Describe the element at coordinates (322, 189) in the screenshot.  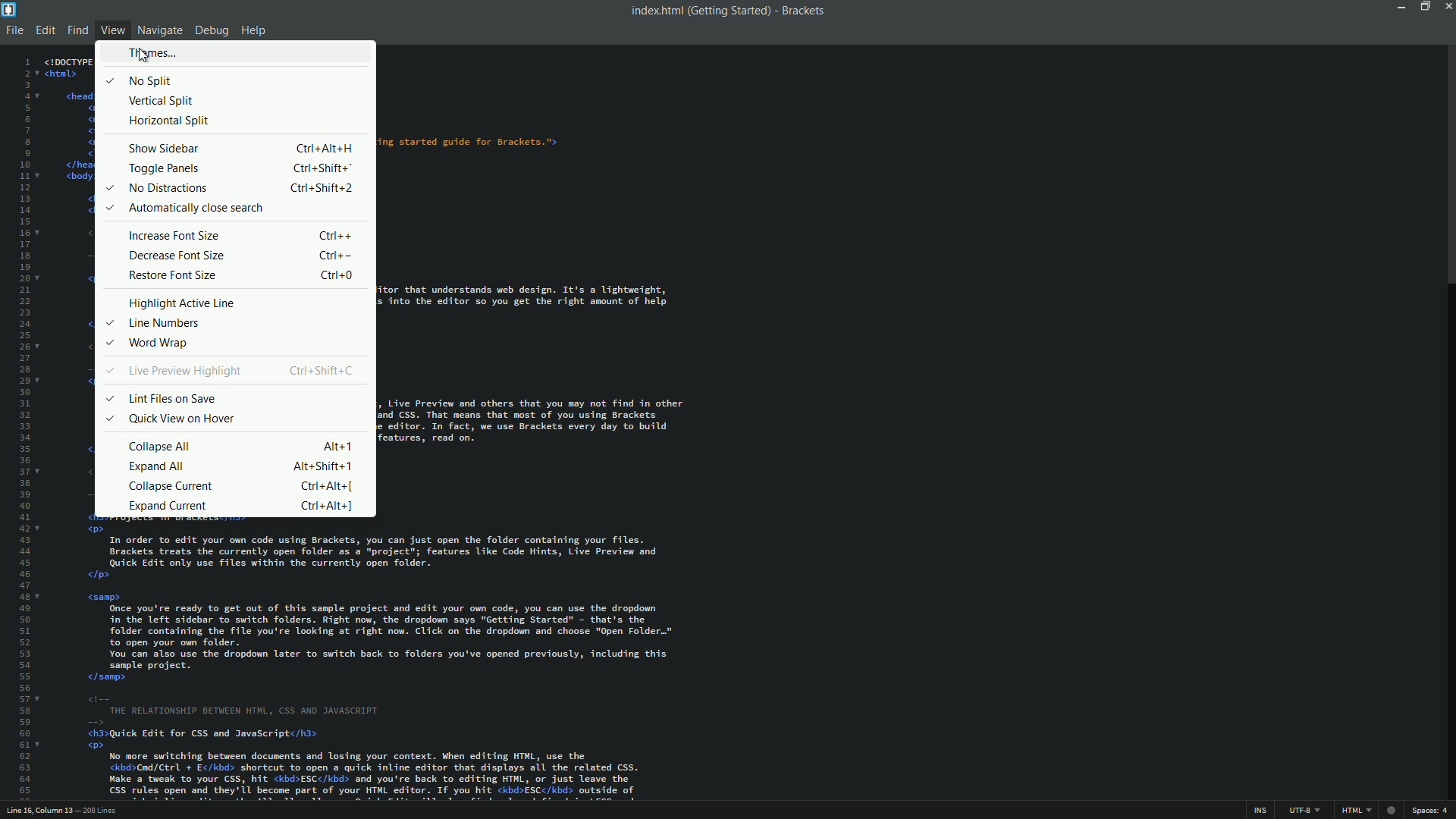
I see `keyboard shortcut` at that location.